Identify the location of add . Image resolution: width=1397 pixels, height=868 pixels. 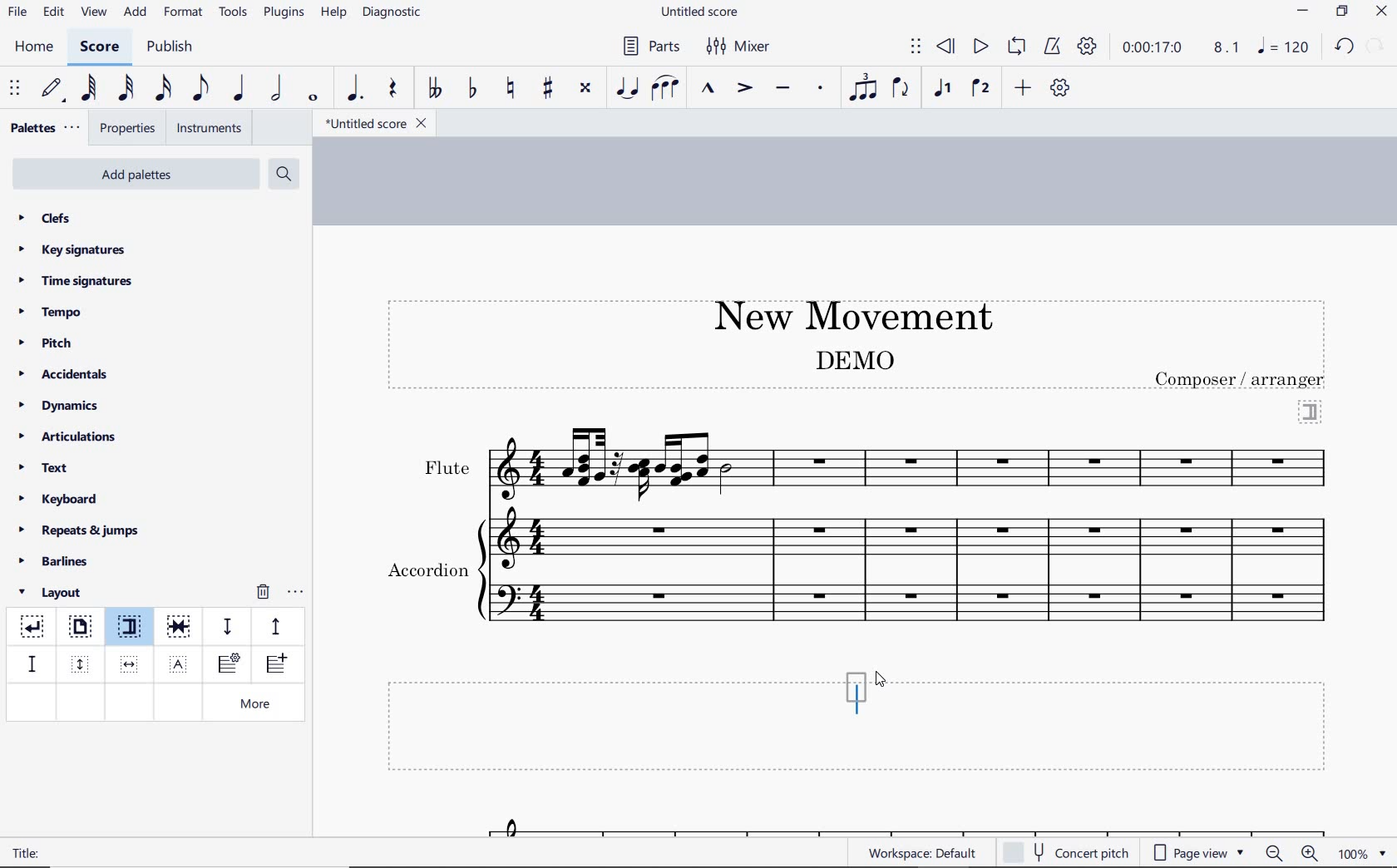
(137, 12).